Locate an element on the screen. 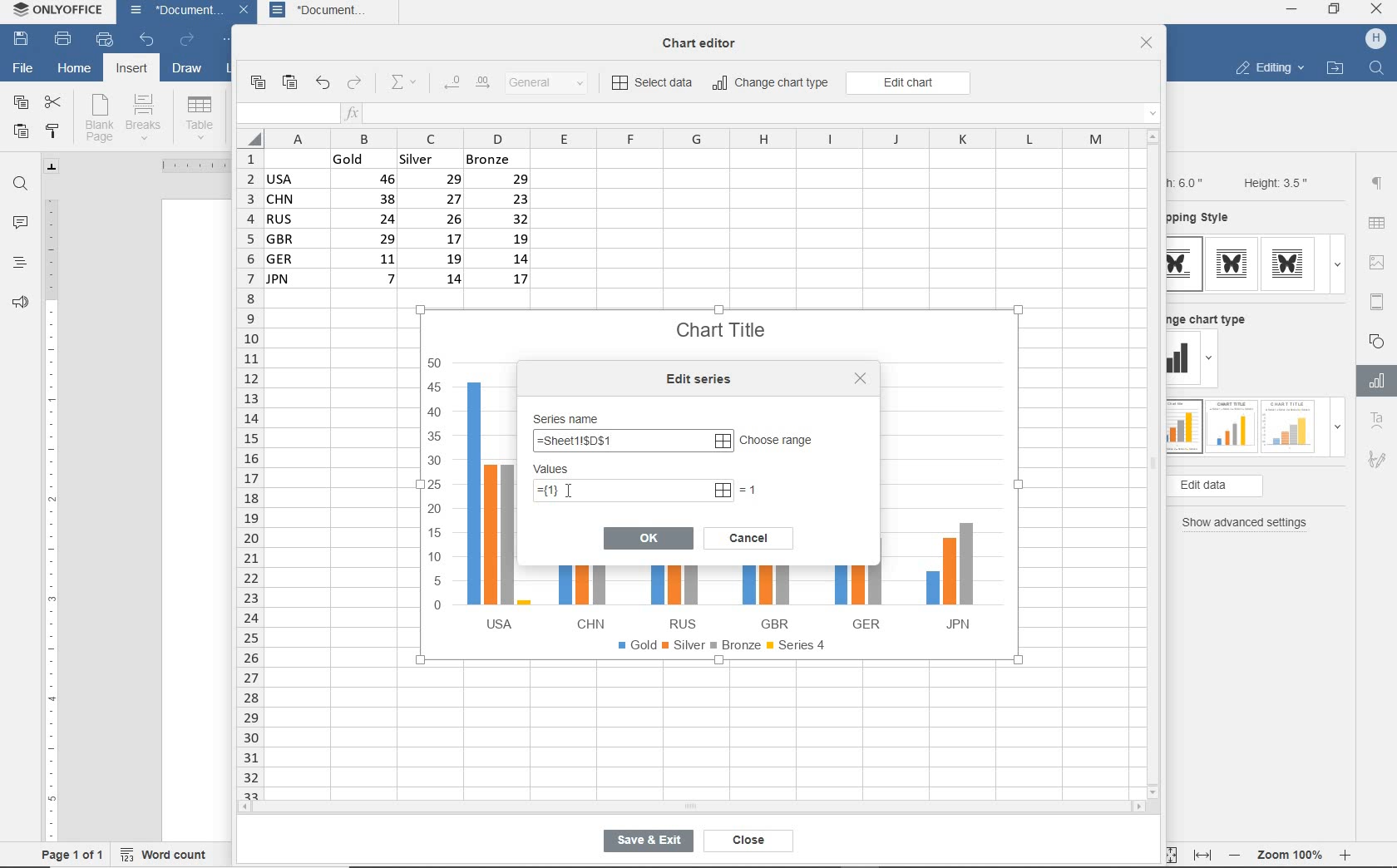 This screenshot has width=1397, height=868. dropdown is located at coordinates (1212, 361).